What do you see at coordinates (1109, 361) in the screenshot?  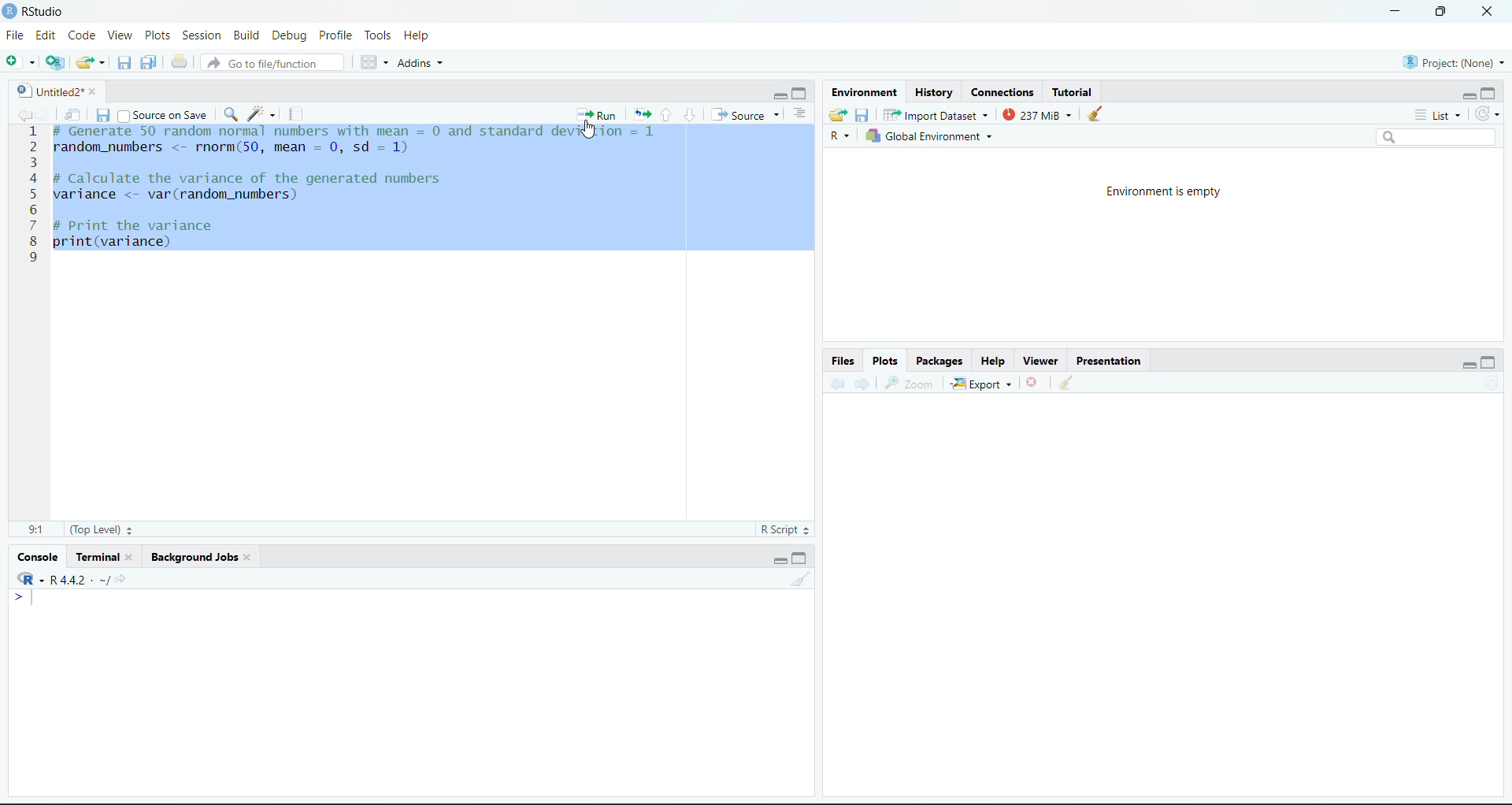 I see `Presentation` at bounding box center [1109, 361].